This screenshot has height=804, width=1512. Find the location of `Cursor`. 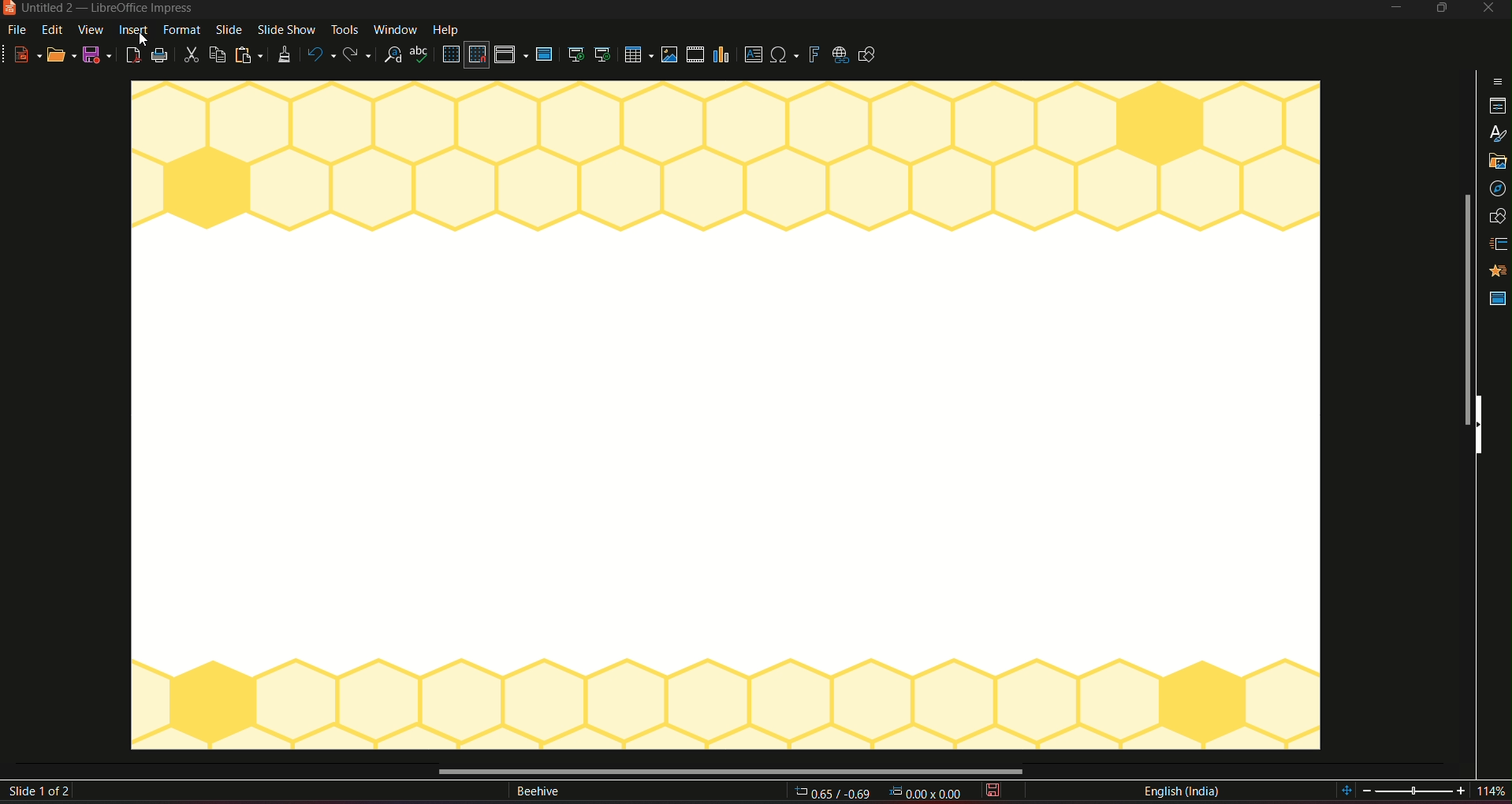

Cursor is located at coordinates (145, 39).